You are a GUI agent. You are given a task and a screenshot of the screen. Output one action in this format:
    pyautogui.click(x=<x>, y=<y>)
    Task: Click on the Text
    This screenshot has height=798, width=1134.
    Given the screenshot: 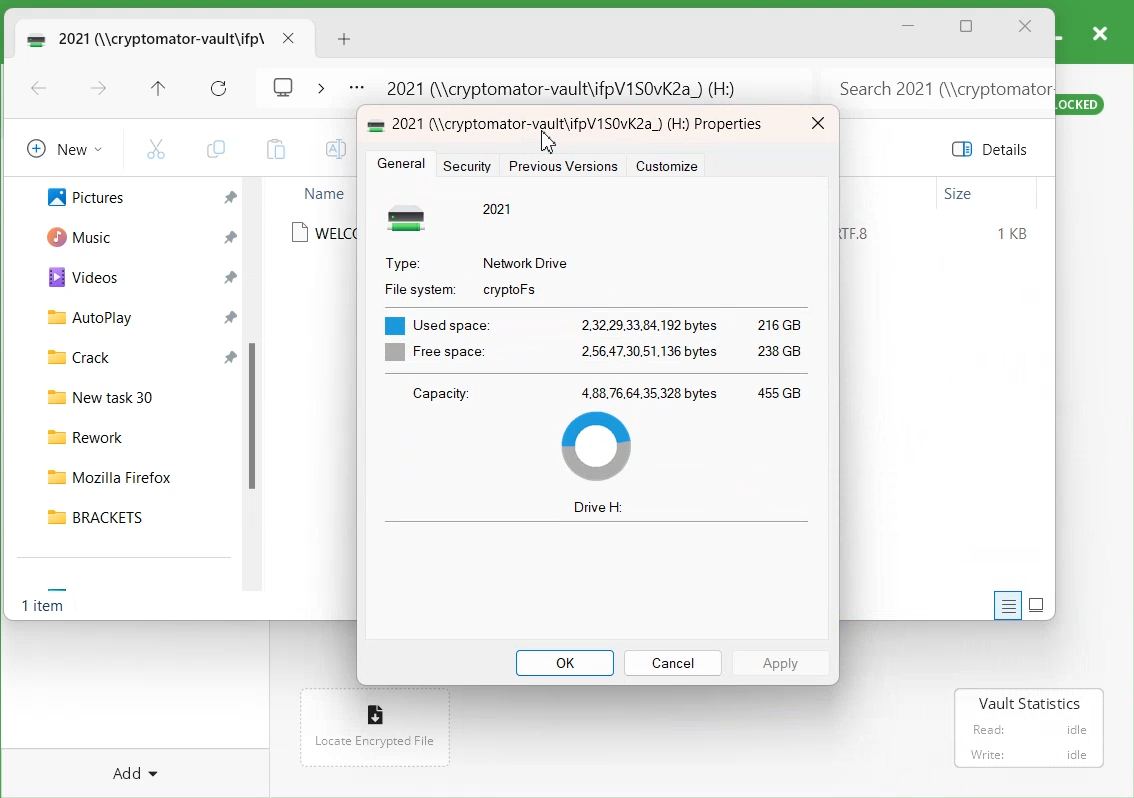 What is the action you would take?
    pyautogui.click(x=46, y=608)
    